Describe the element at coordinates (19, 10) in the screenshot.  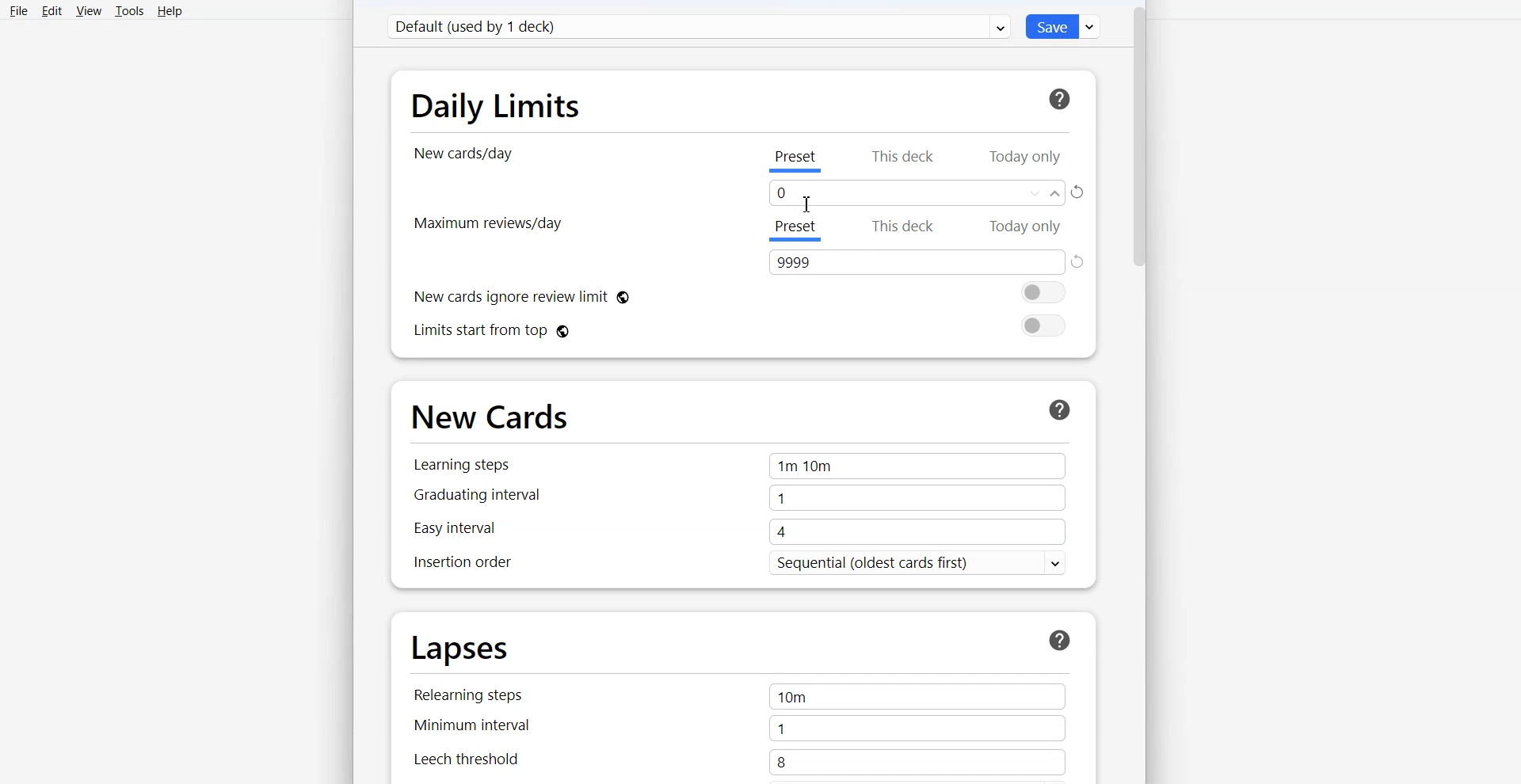
I see `File` at that location.